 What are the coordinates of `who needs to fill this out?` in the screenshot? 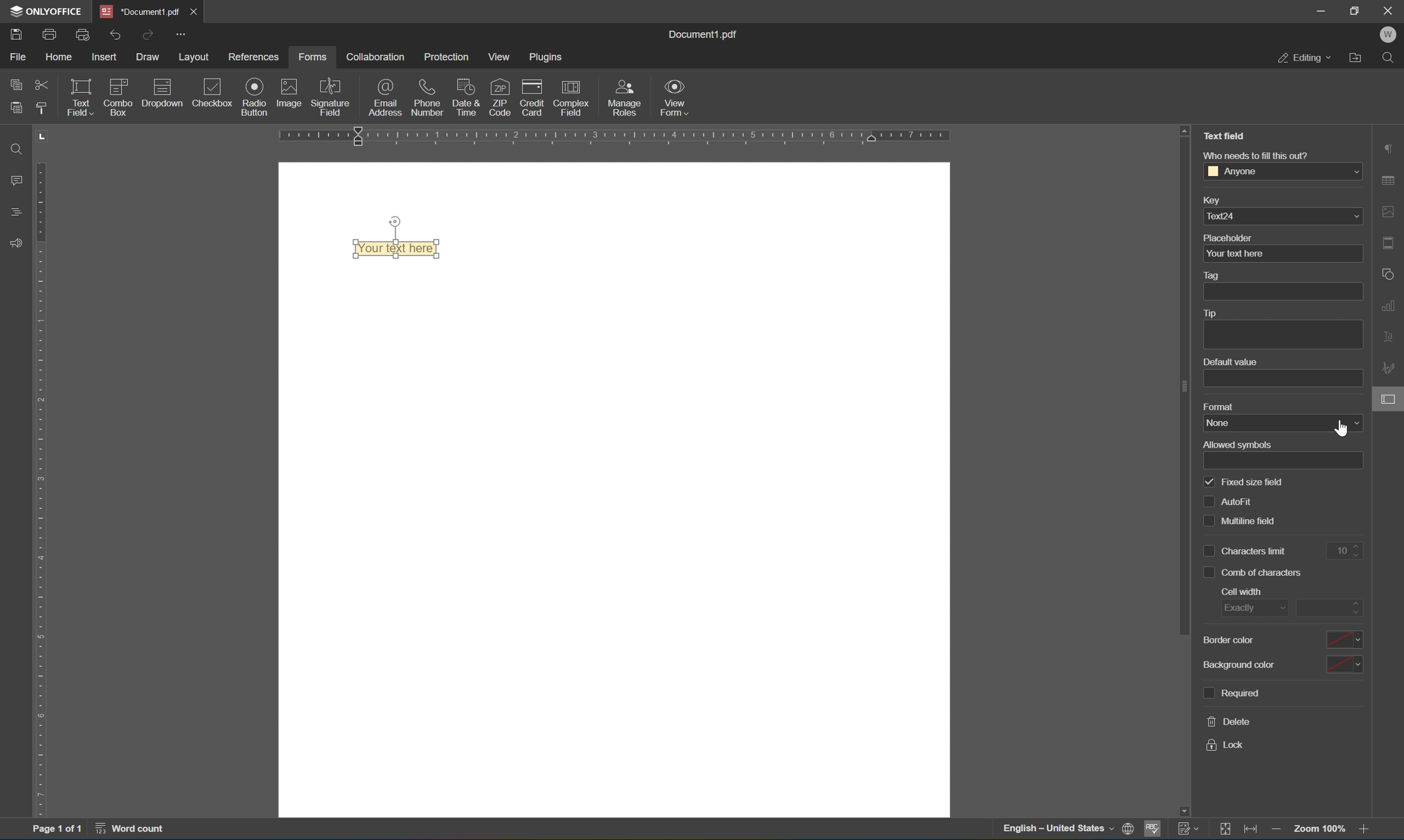 It's located at (1255, 155).